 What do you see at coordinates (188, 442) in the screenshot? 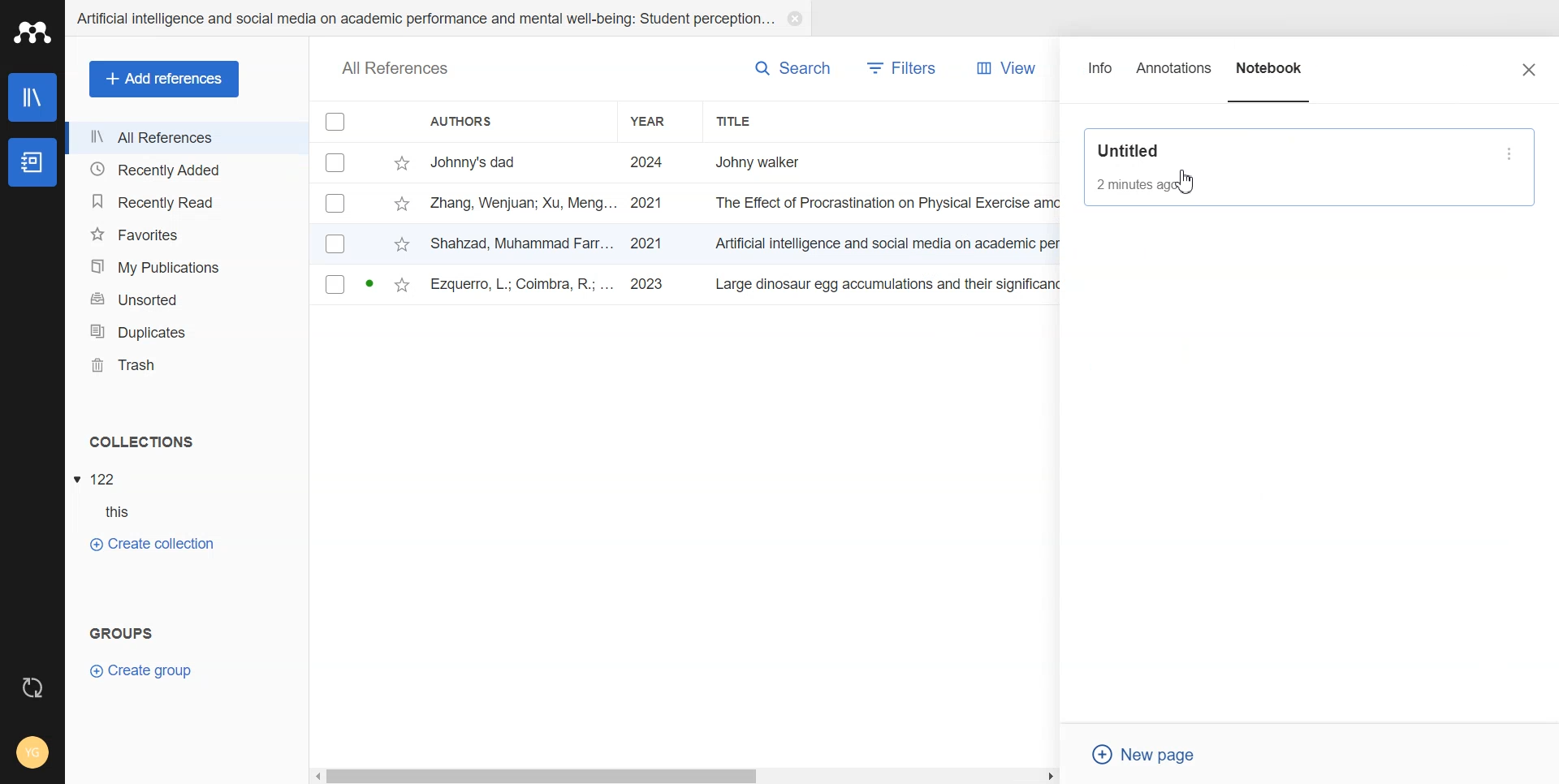
I see `Collections` at bounding box center [188, 442].